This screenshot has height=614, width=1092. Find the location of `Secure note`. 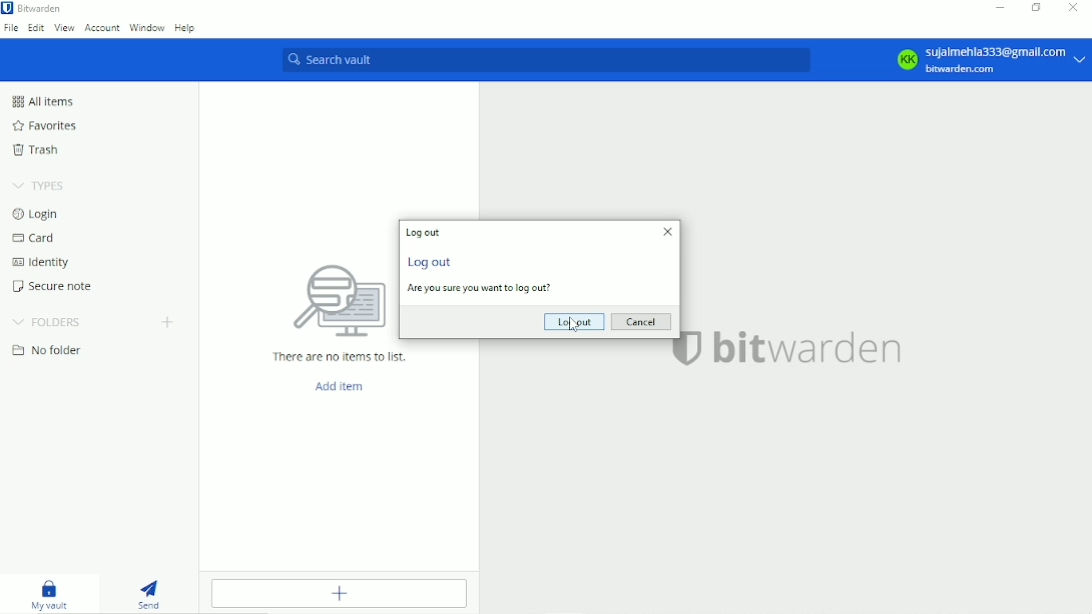

Secure note is located at coordinates (55, 288).